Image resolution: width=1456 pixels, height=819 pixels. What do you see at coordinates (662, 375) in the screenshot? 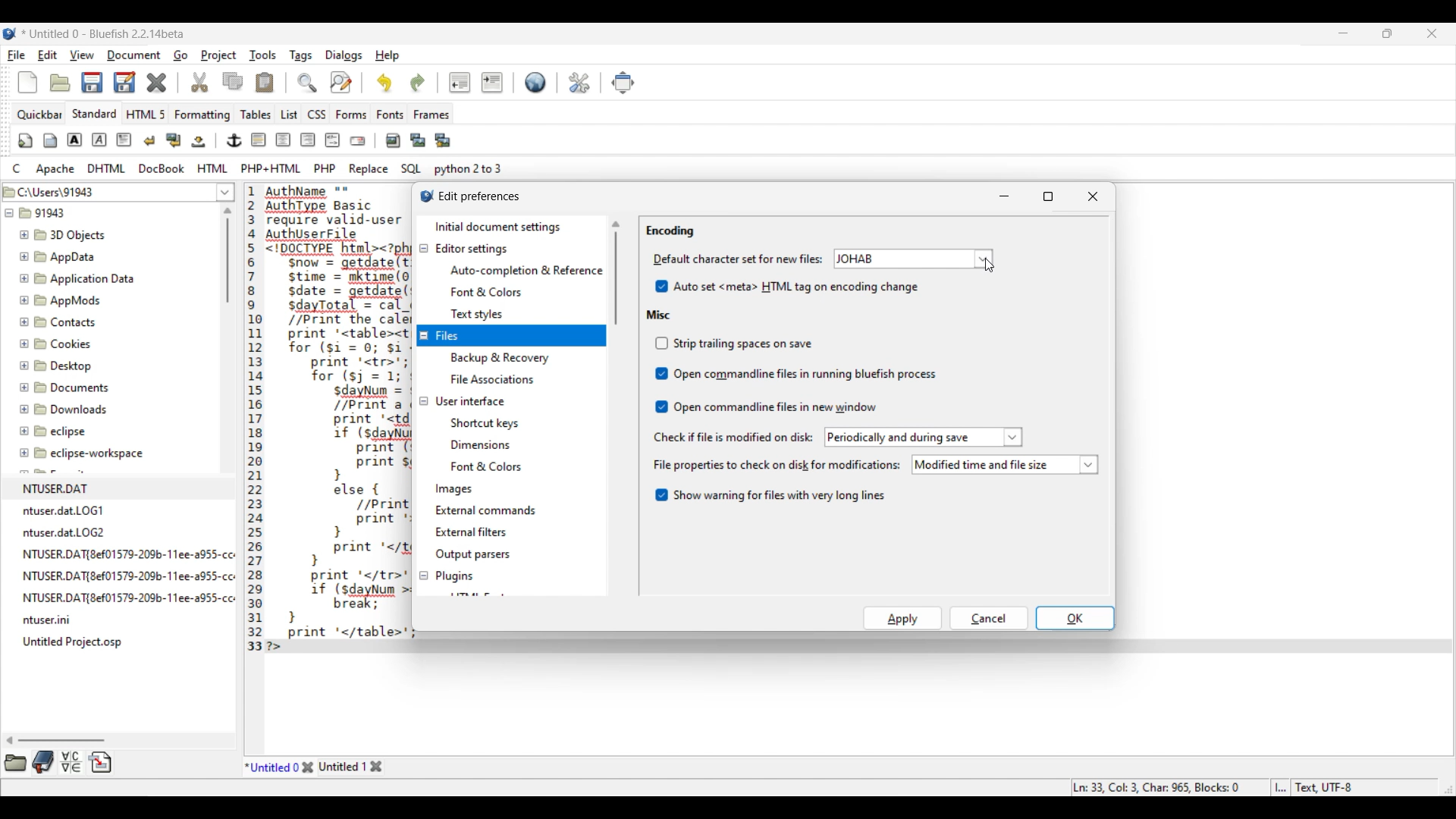
I see `Indicates toggle on/off` at bounding box center [662, 375].